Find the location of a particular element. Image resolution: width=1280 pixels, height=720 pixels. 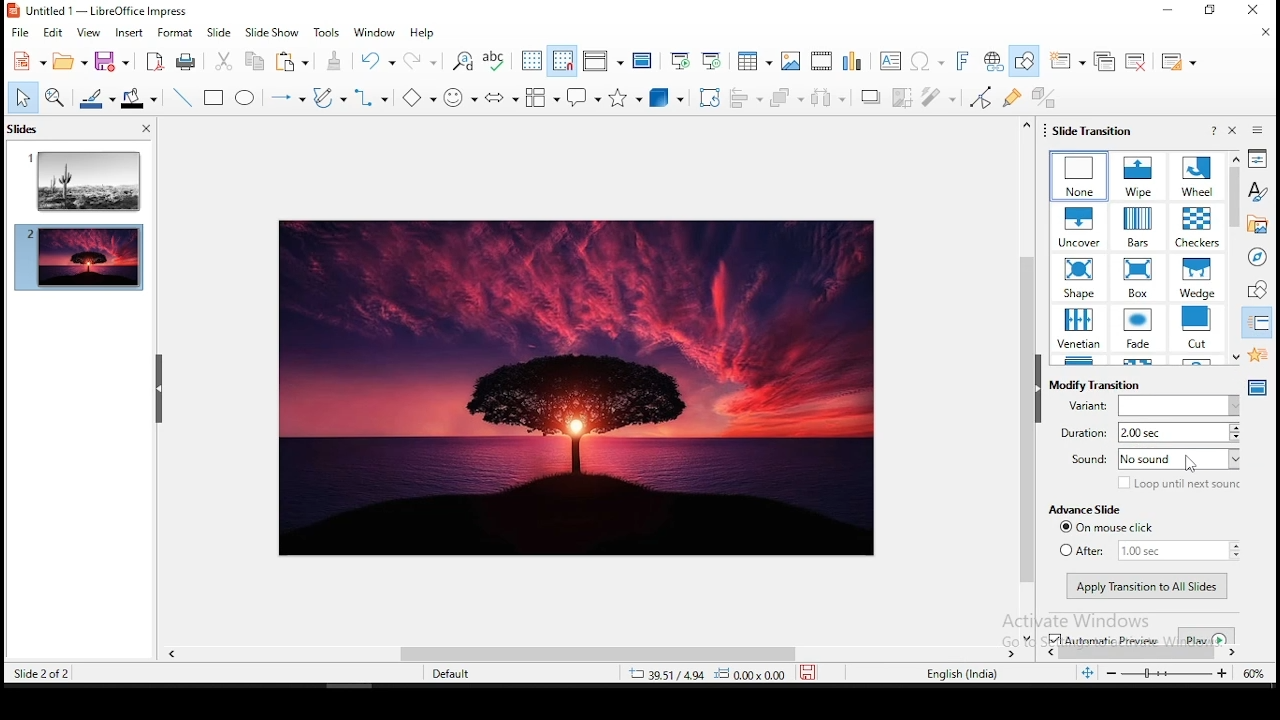

acrobat as pdf is located at coordinates (155, 61).